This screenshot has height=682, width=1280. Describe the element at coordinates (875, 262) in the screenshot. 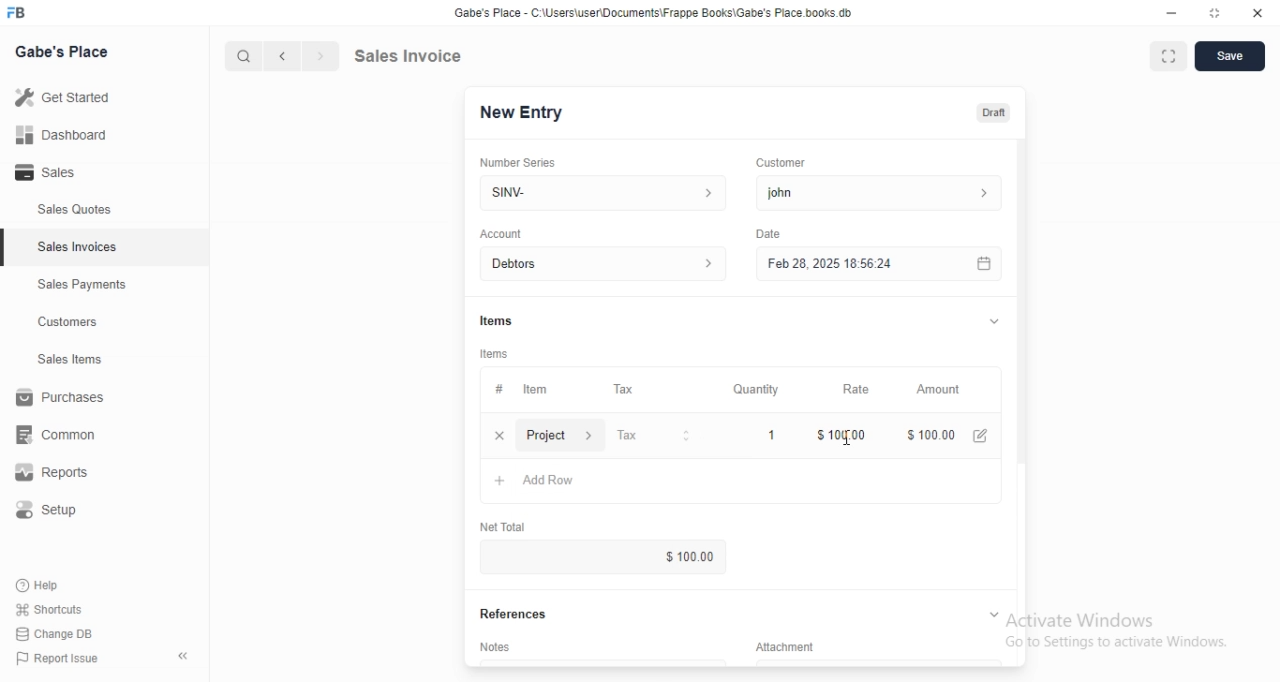

I see `Feb 28, 2025 18:56:24.` at that location.